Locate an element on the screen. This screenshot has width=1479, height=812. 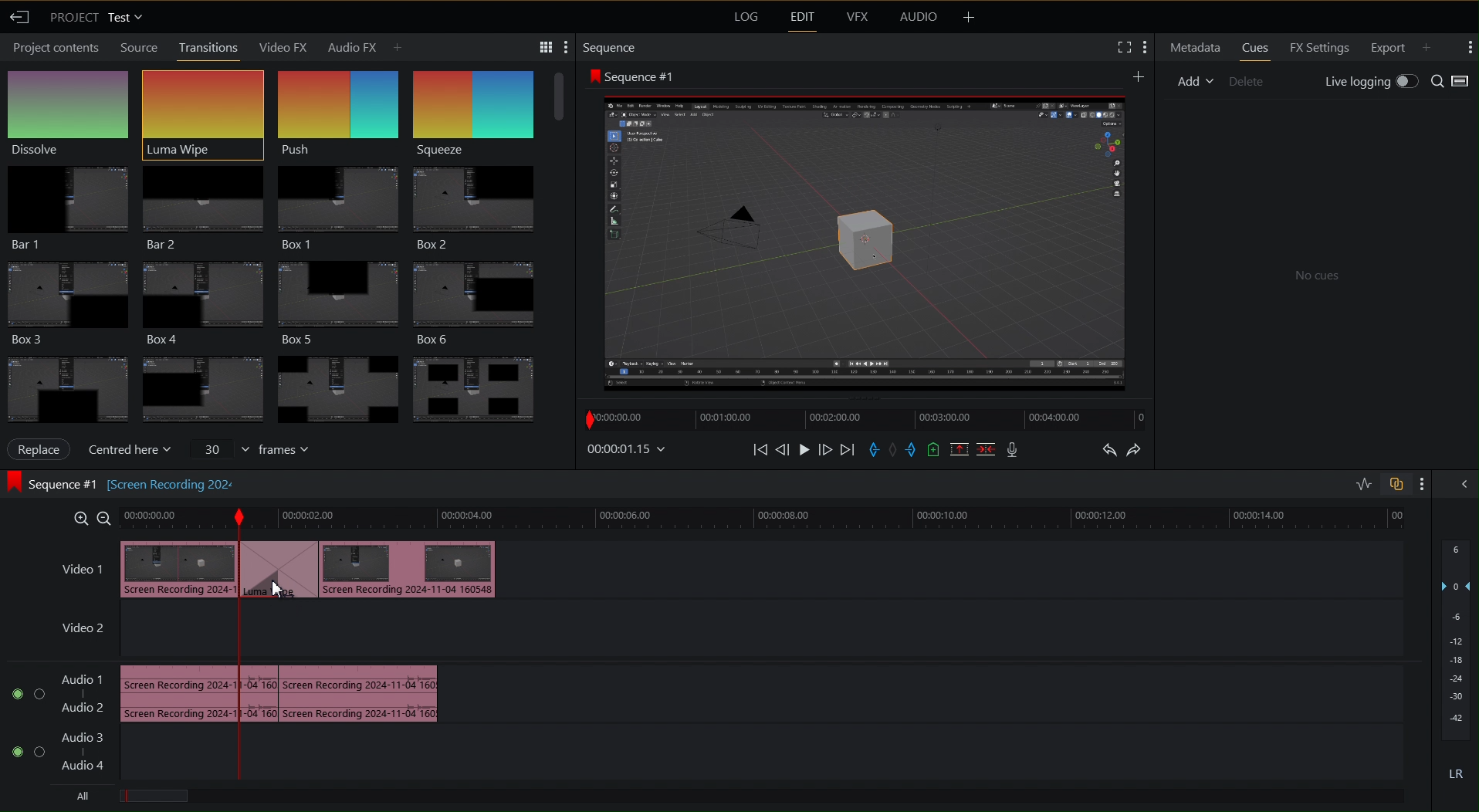
Zoom is located at coordinates (88, 517).